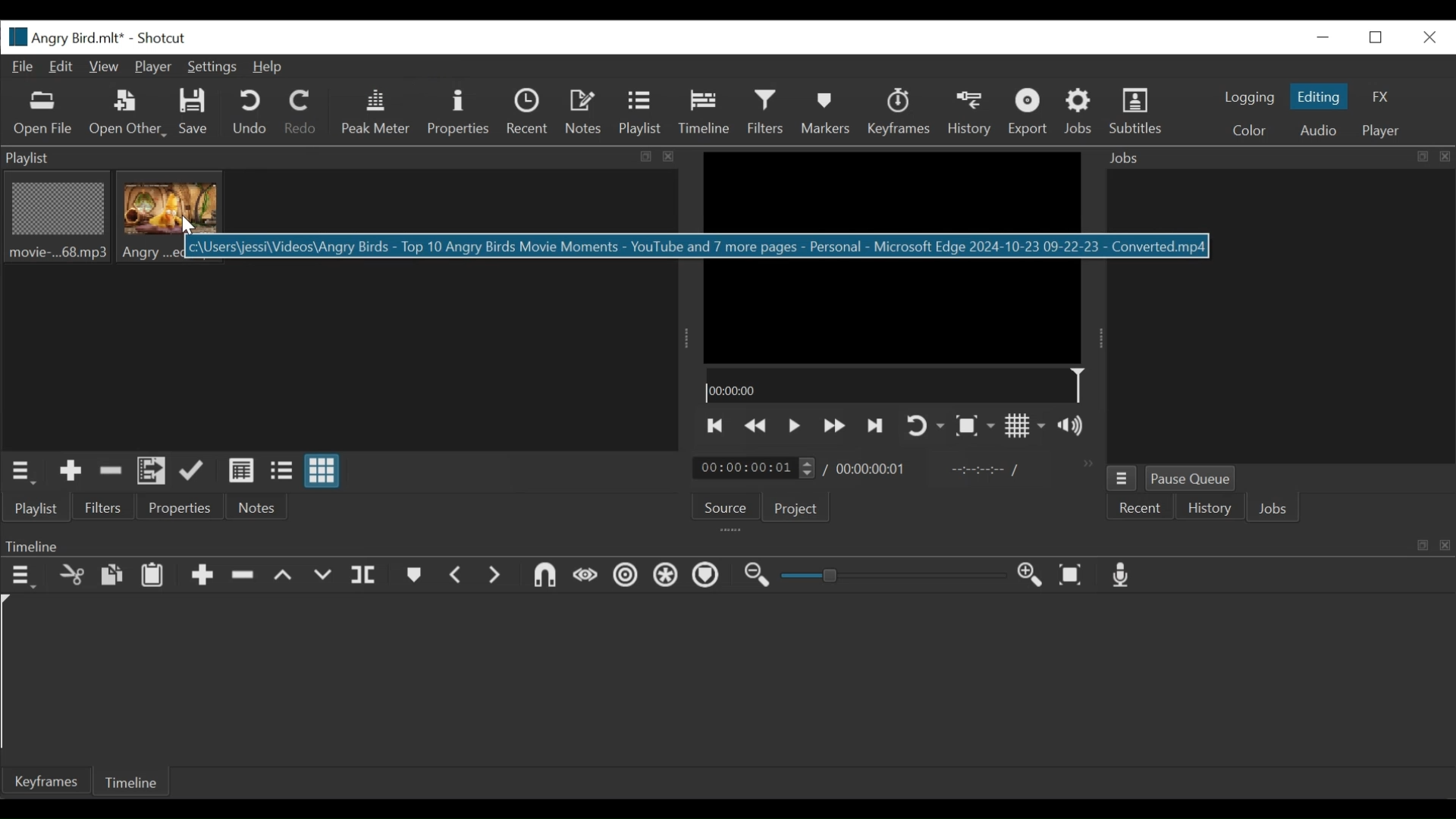 Image resolution: width=1456 pixels, height=819 pixels. What do you see at coordinates (133, 780) in the screenshot?
I see `Timeline` at bounding box center [133, 780].